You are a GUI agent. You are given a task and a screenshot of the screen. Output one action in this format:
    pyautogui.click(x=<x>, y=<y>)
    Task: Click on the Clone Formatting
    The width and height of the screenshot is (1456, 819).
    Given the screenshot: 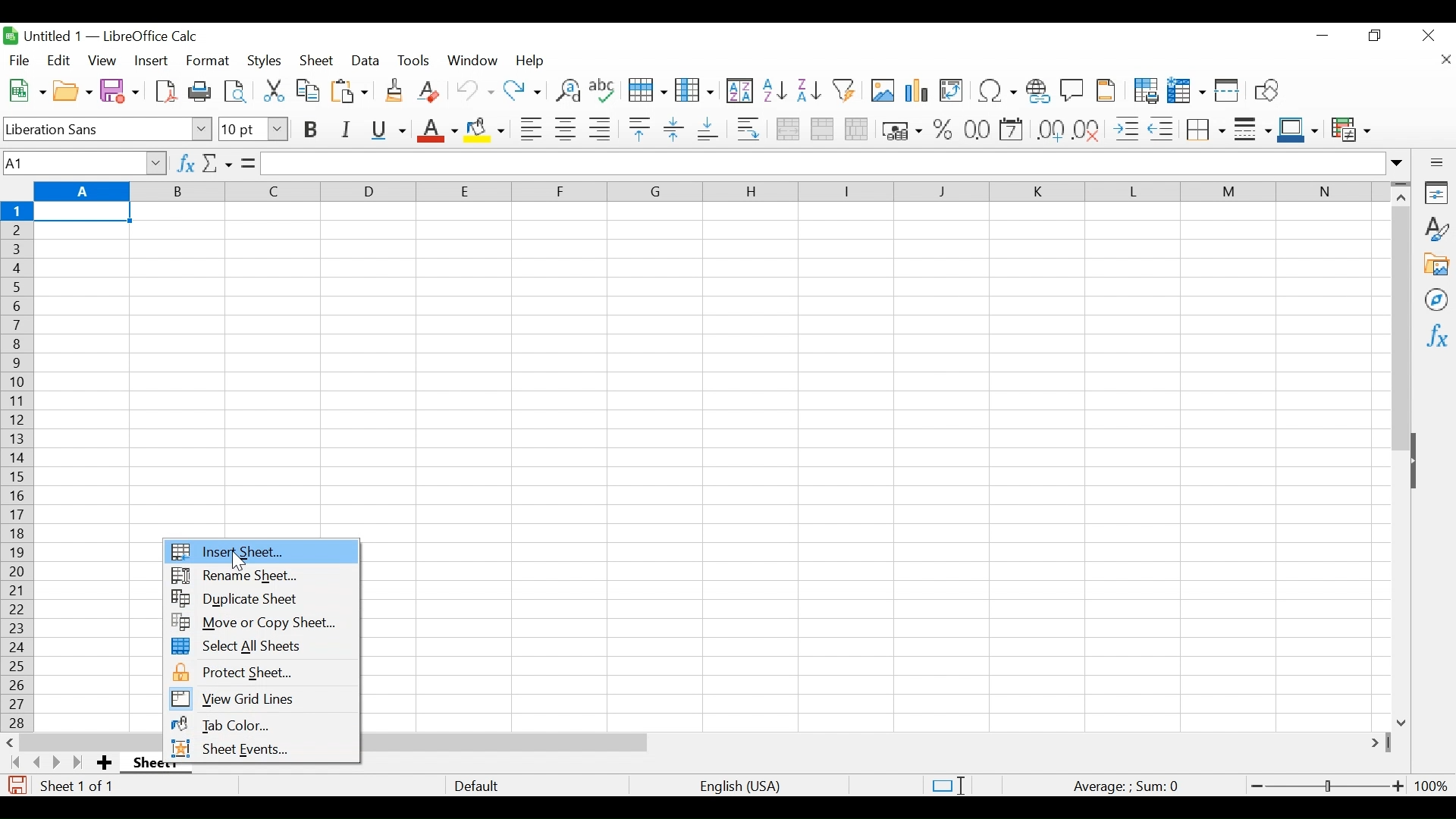 What is the action you would take?
    pyautogui.click(x=393, y=91)
    